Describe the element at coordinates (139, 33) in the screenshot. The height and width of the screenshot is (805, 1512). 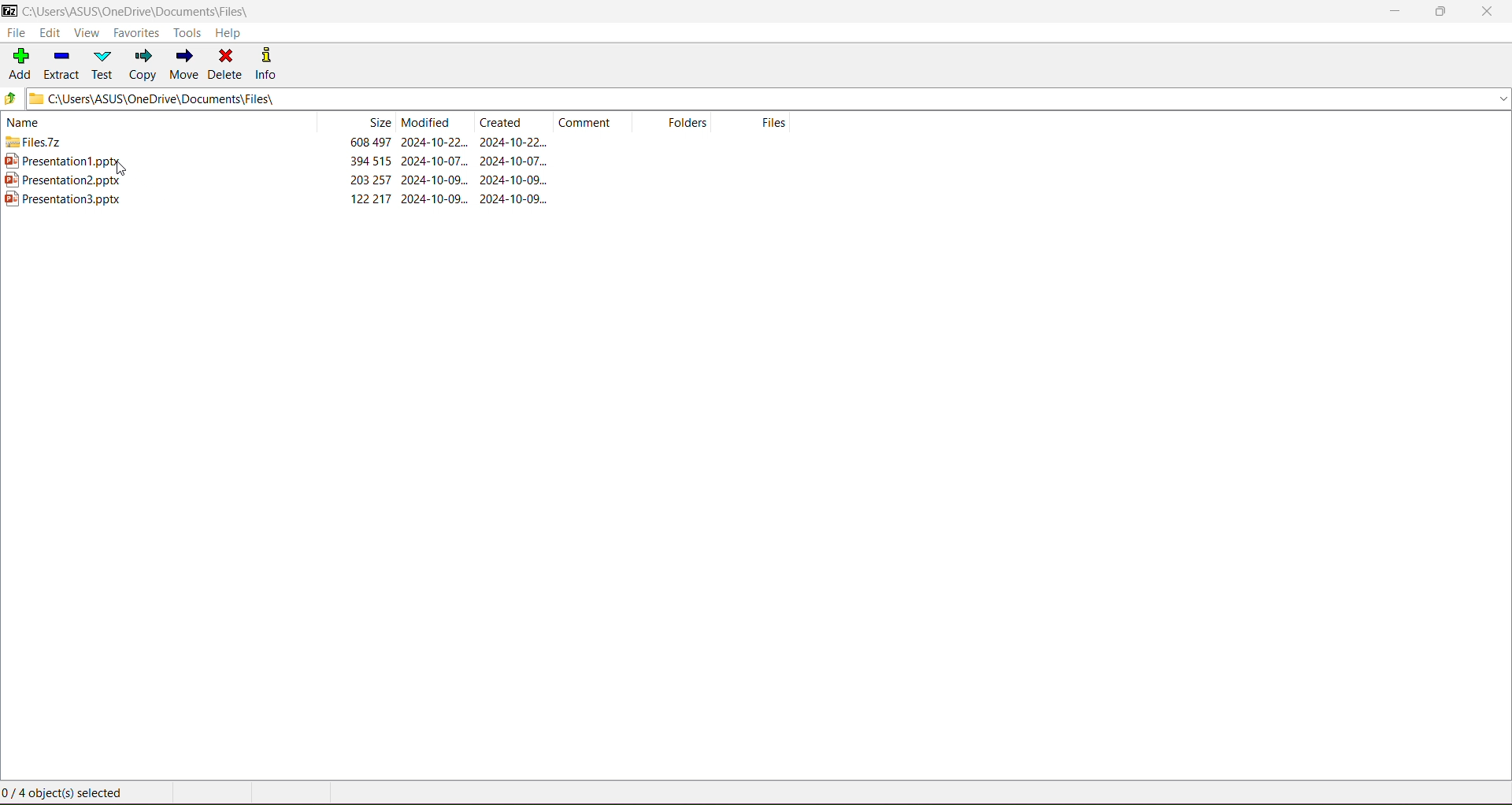
I see `Favorites` at that location.